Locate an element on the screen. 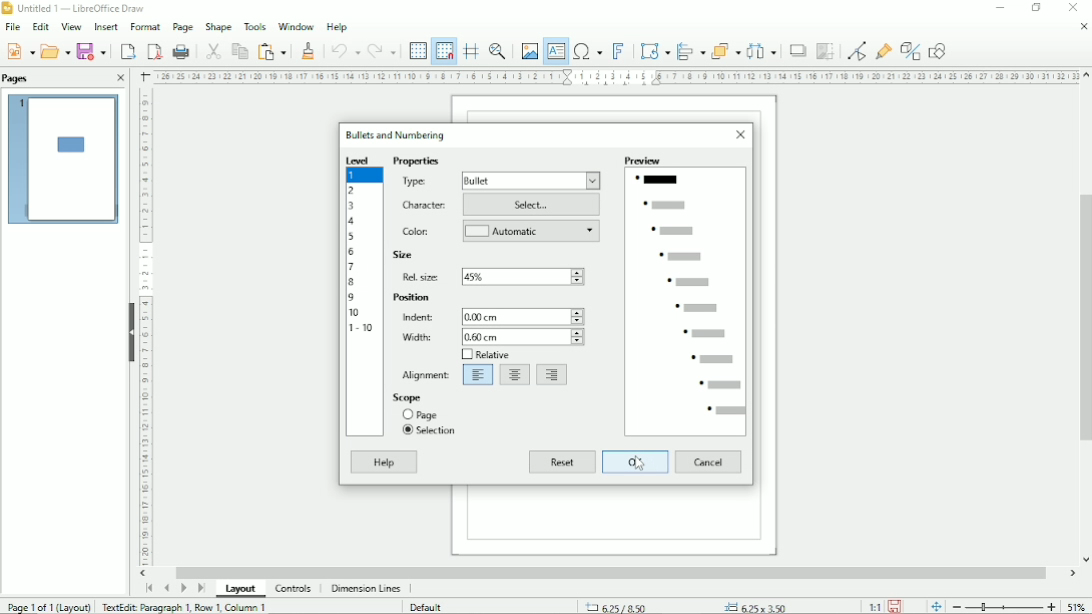 This screenshot has width=1092, height=614. Page 1 of 1 is located at coordinates (49, 606).